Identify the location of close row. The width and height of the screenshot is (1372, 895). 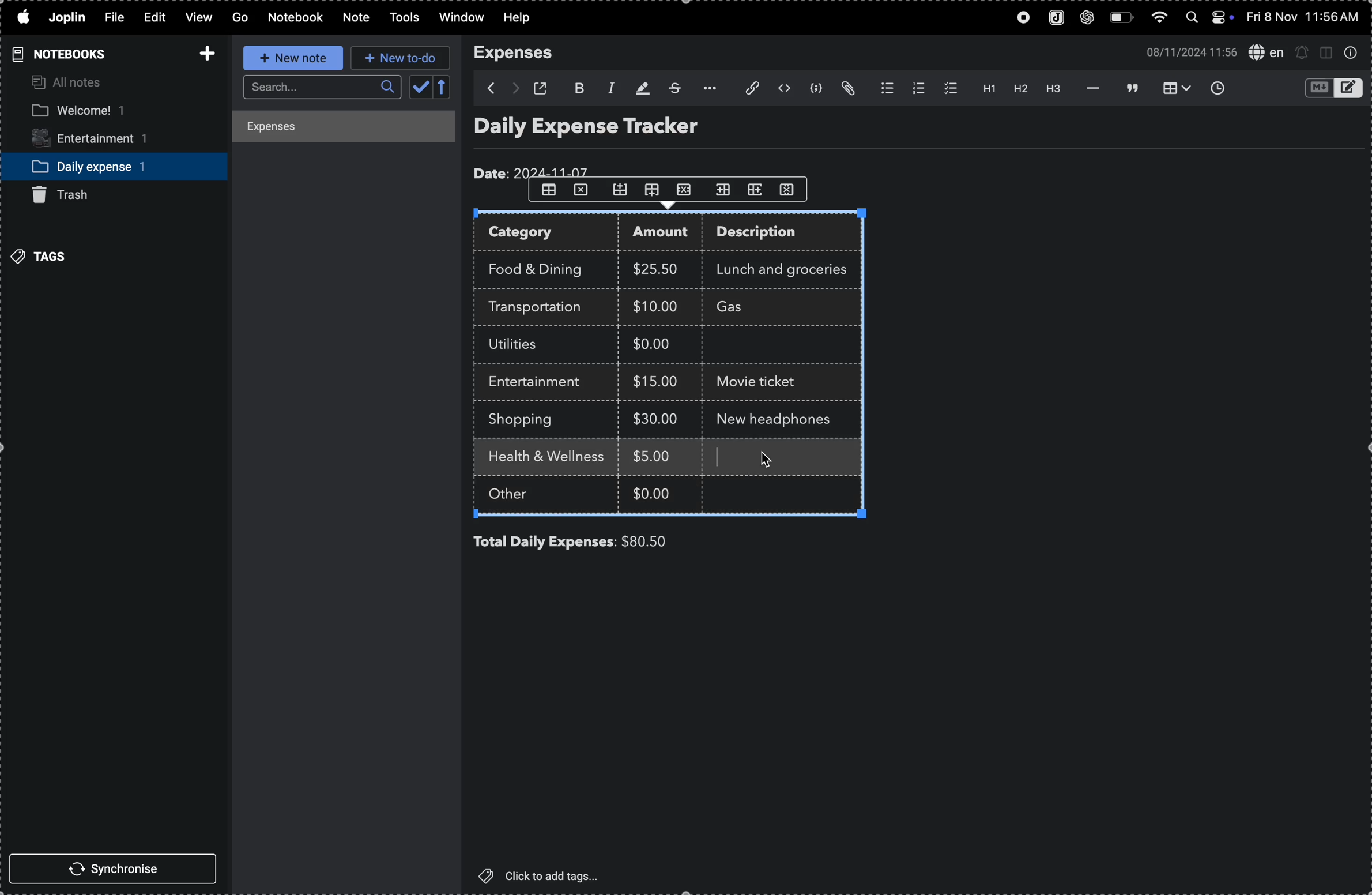
(687, 189).